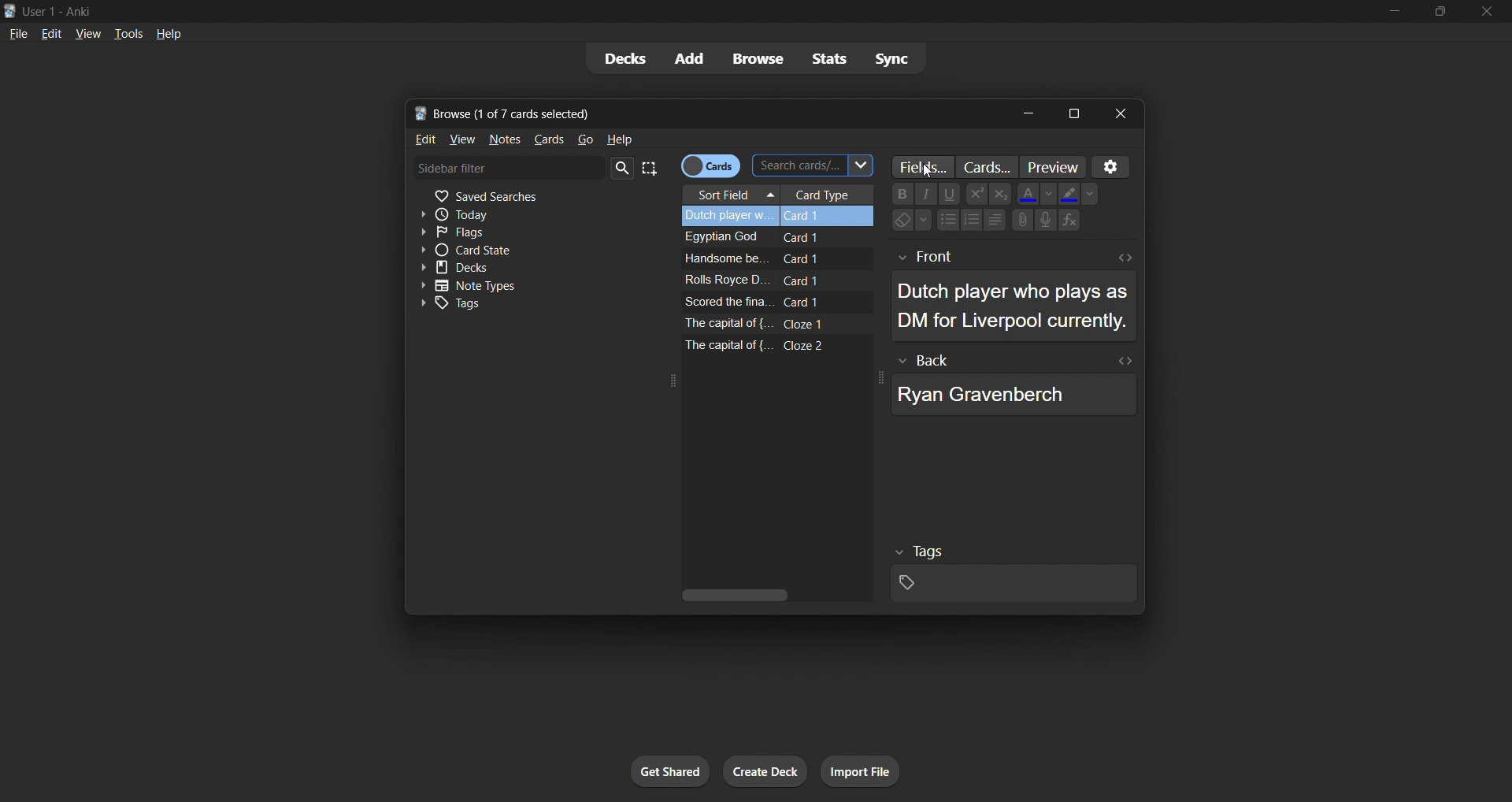 The height and width of the screenshot is (802, 1512). I want to click on title bar, so click(708, 113).